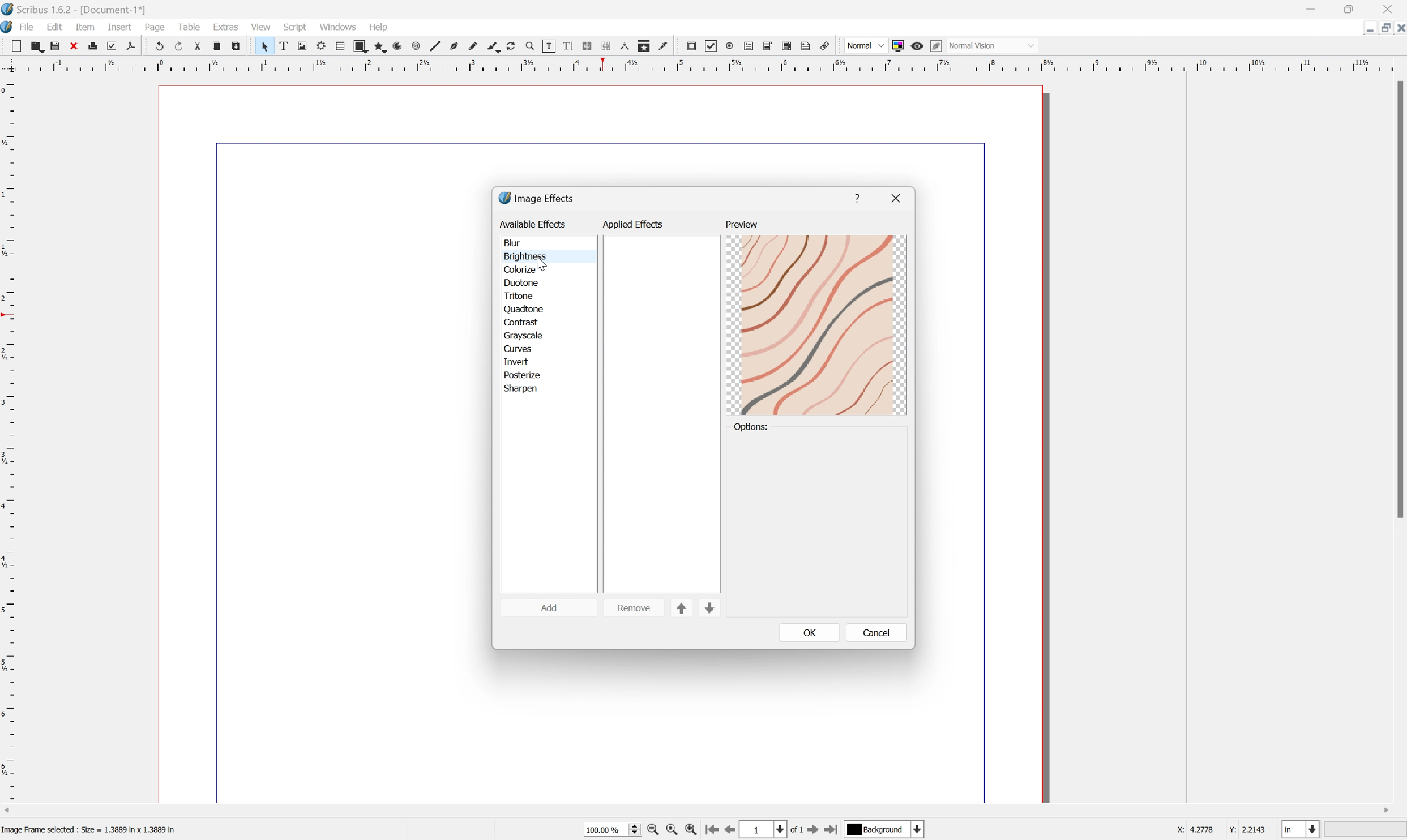 The image size is (1407, 840). I want to click on 1 of 1, so click(773, 829).